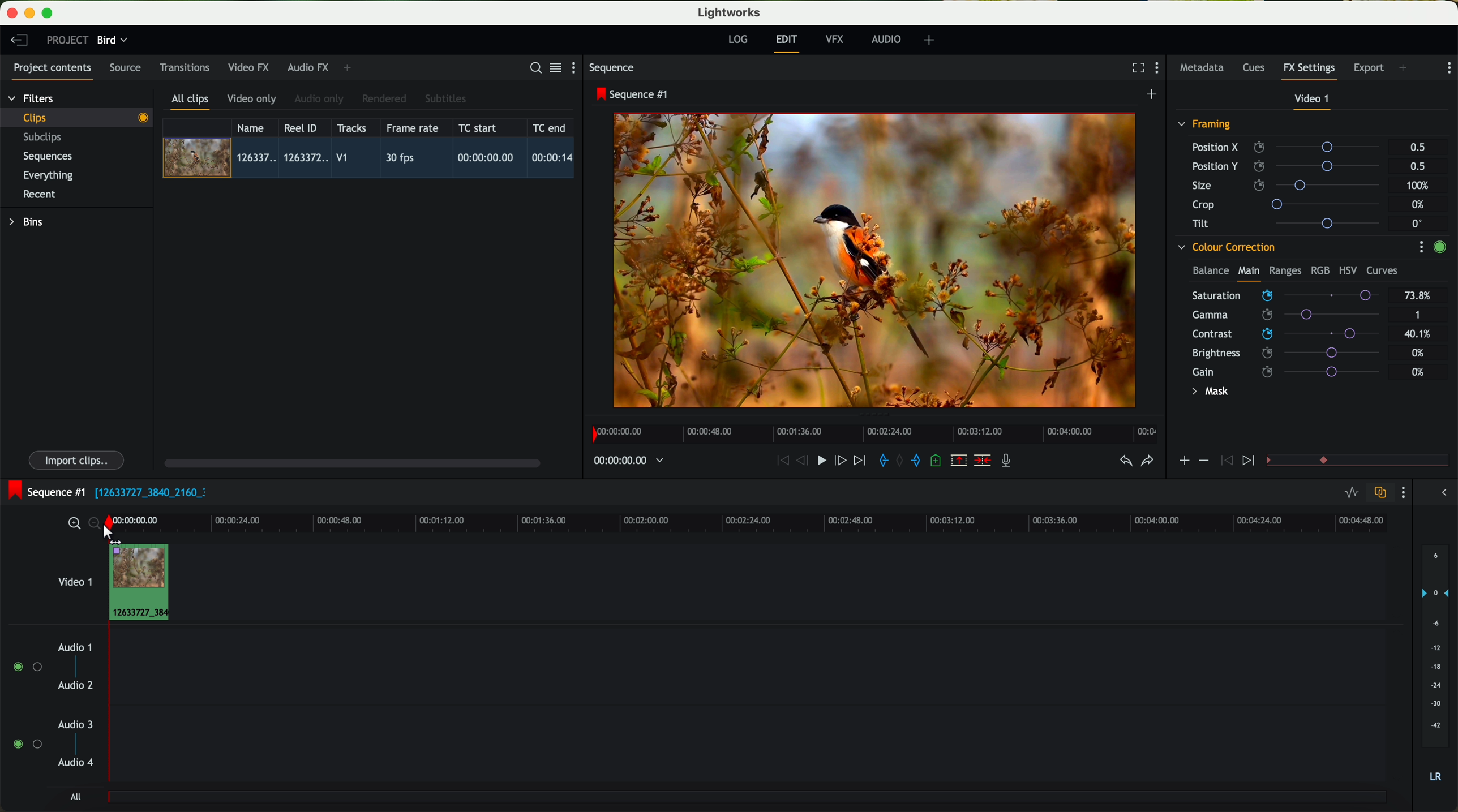 The height and width of the screenshot is (812, 1458). Describe the element at coordinates (350, 128) in the screenshot. I see `tracks` at that location.